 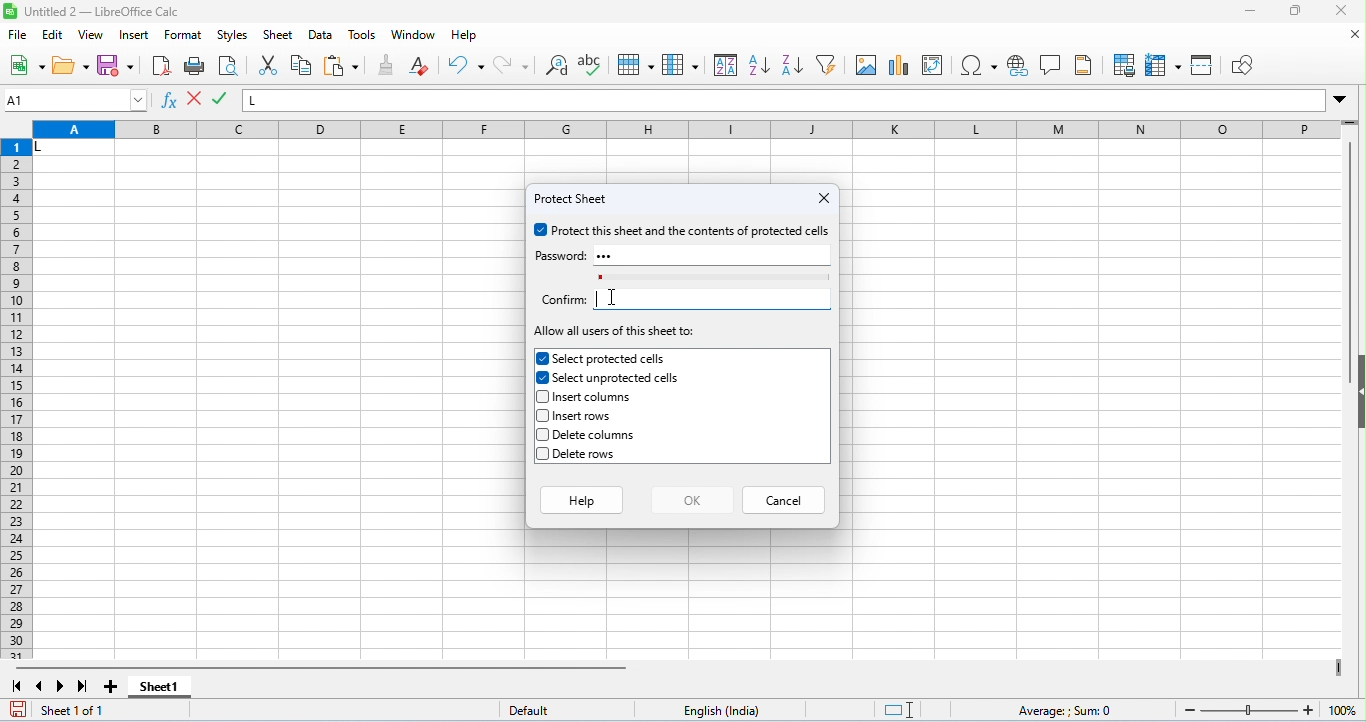 I want to click on copy, so click(x=301, y=65).